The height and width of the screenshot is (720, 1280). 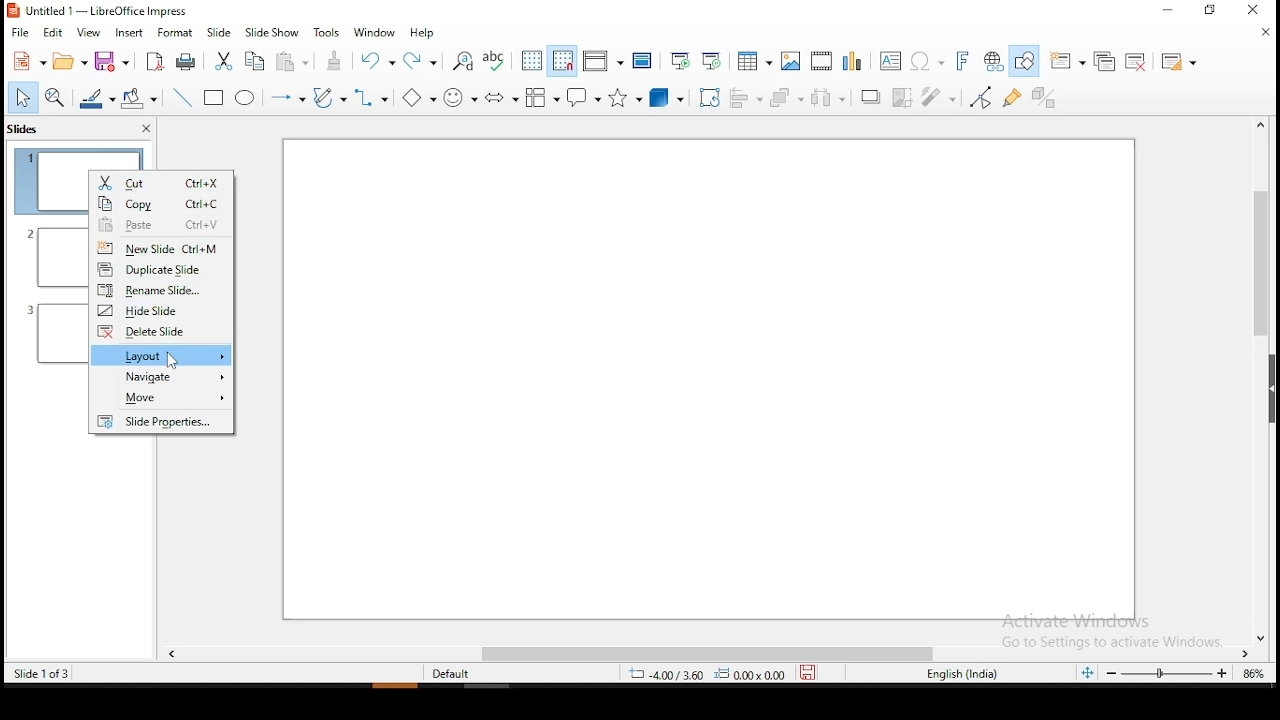 What do you see at coordinates (255, 62) in the screenshot?
I see `copy` at bounding box center [255, 62].